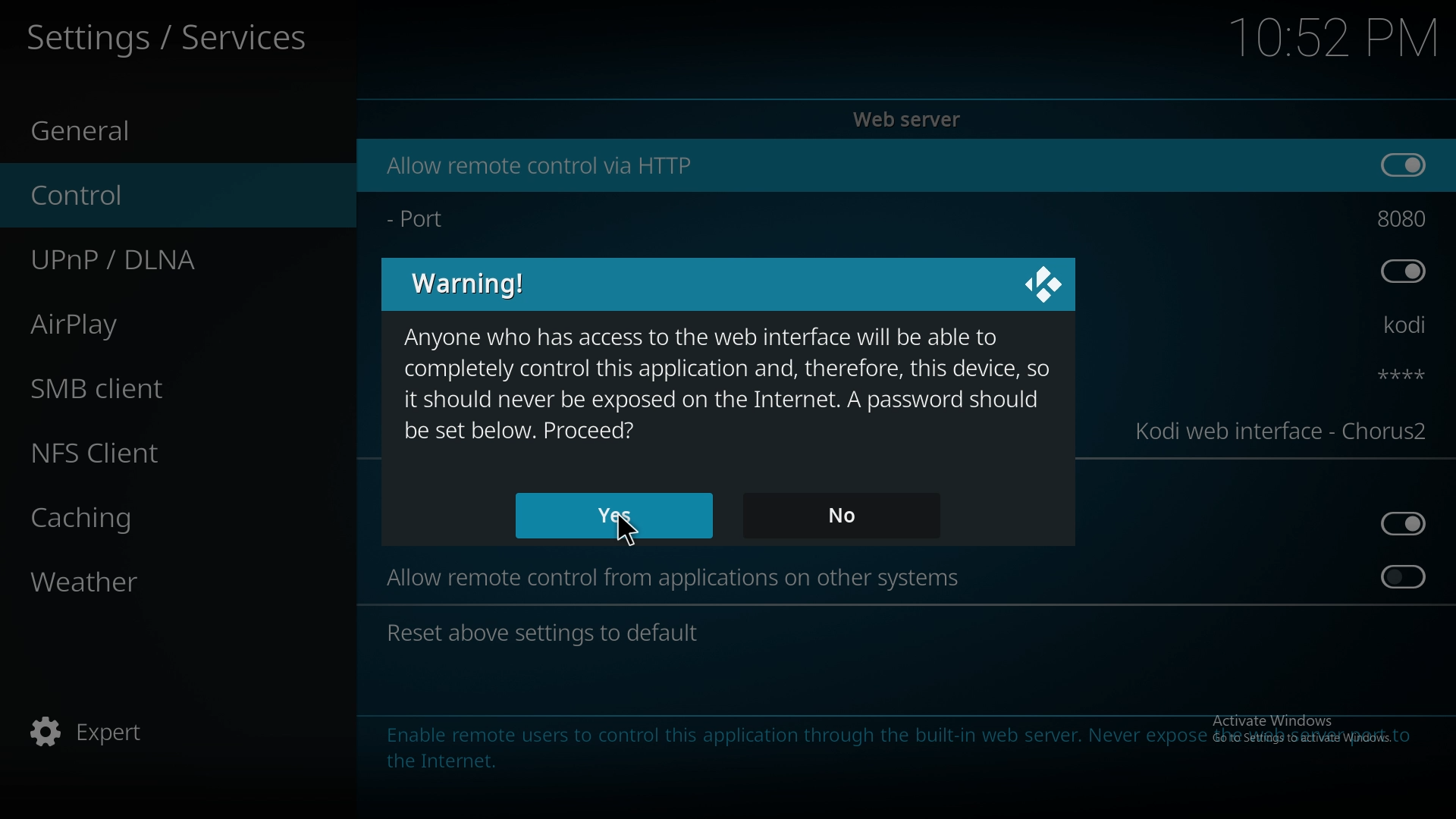  I want to click on port number, so click(1403, 218).